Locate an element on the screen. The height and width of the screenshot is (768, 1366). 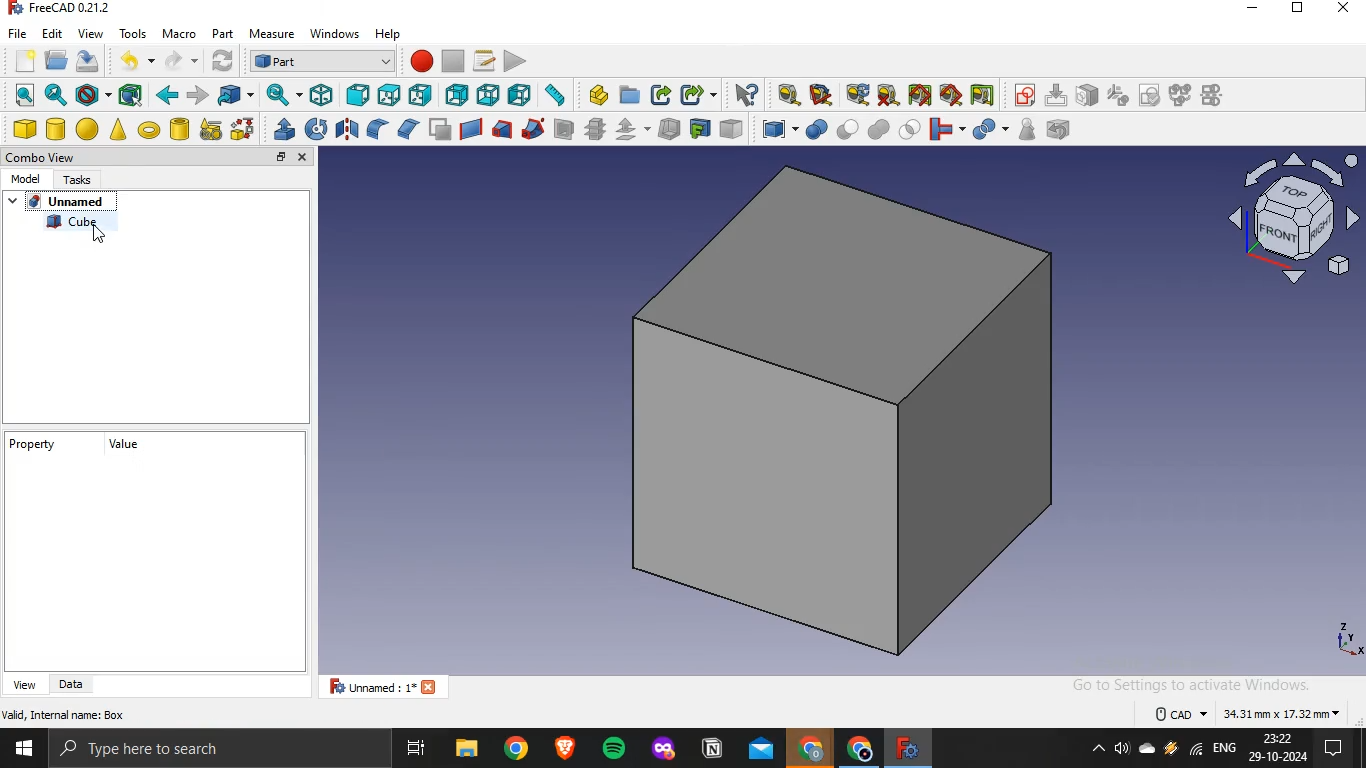
unnamed is located at coordinates (389, 686).